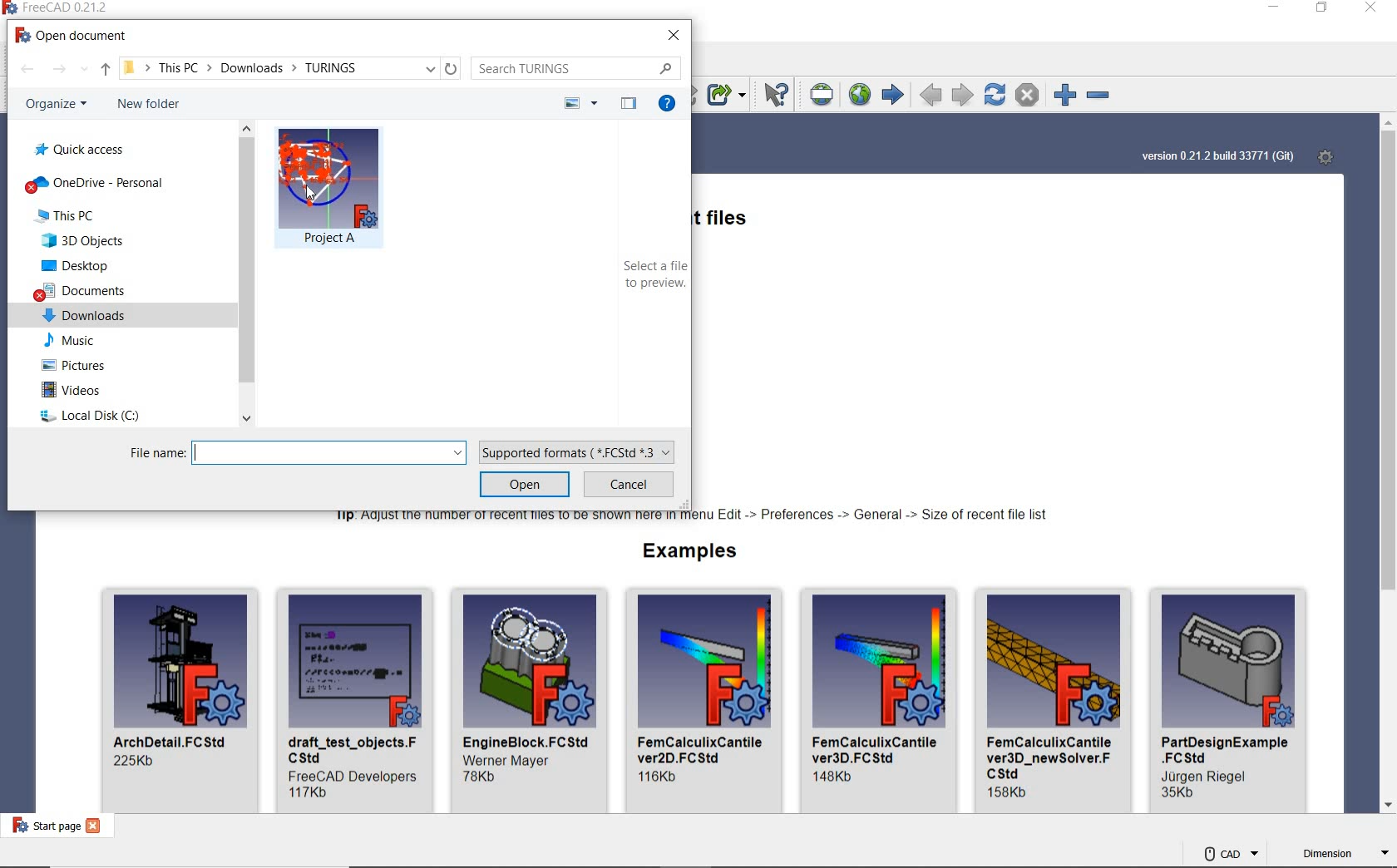 This screenshot has height=868, width=1397. What do you see at coordinates (174, 741) in the screenshot?
I see `name` at bounding box center [174, 741].